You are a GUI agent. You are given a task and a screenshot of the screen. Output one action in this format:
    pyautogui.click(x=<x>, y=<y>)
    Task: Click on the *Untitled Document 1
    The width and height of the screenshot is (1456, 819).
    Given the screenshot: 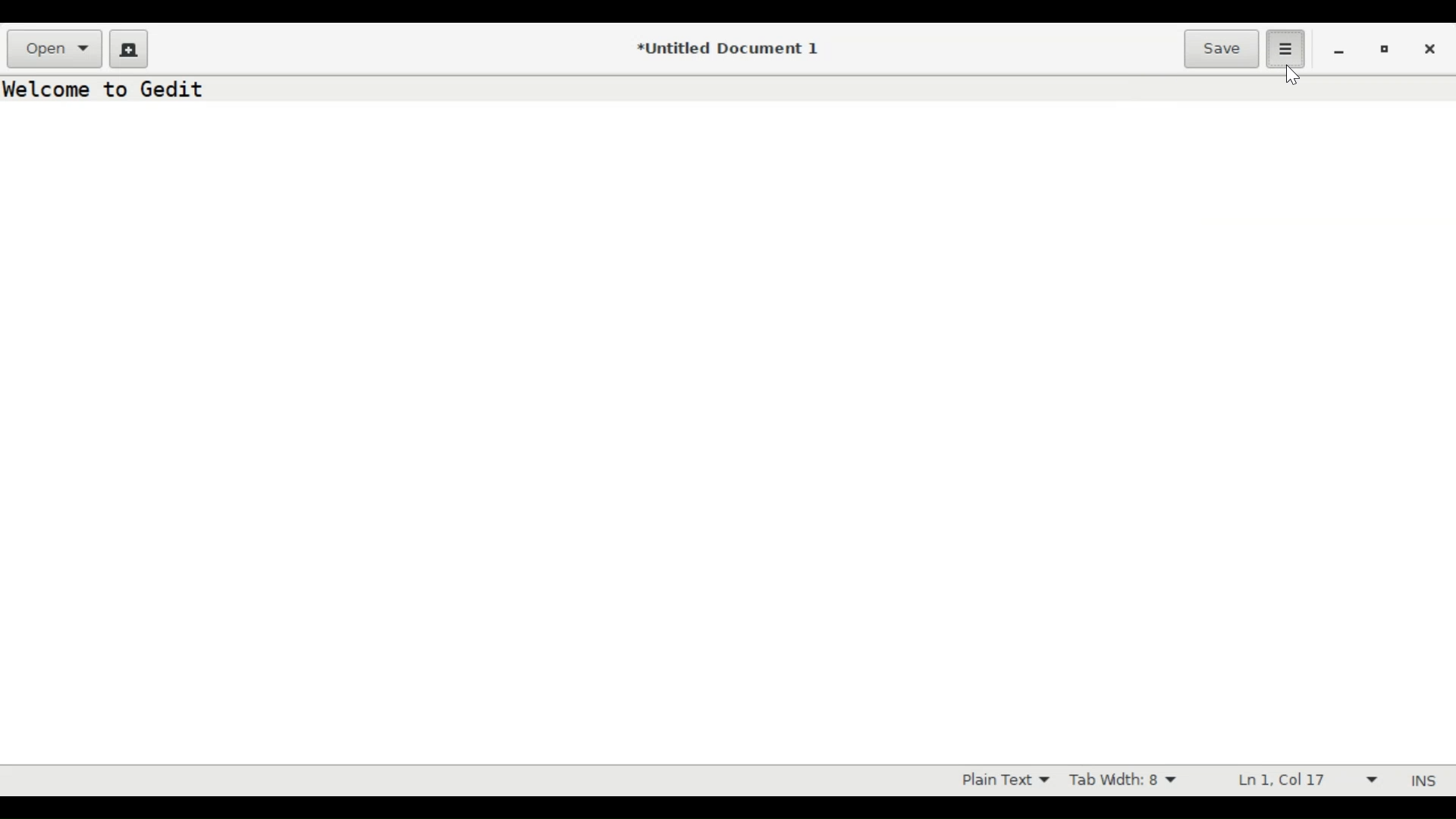 What is the action you would take?
    pyautogui.click(x=730, y=50)
    